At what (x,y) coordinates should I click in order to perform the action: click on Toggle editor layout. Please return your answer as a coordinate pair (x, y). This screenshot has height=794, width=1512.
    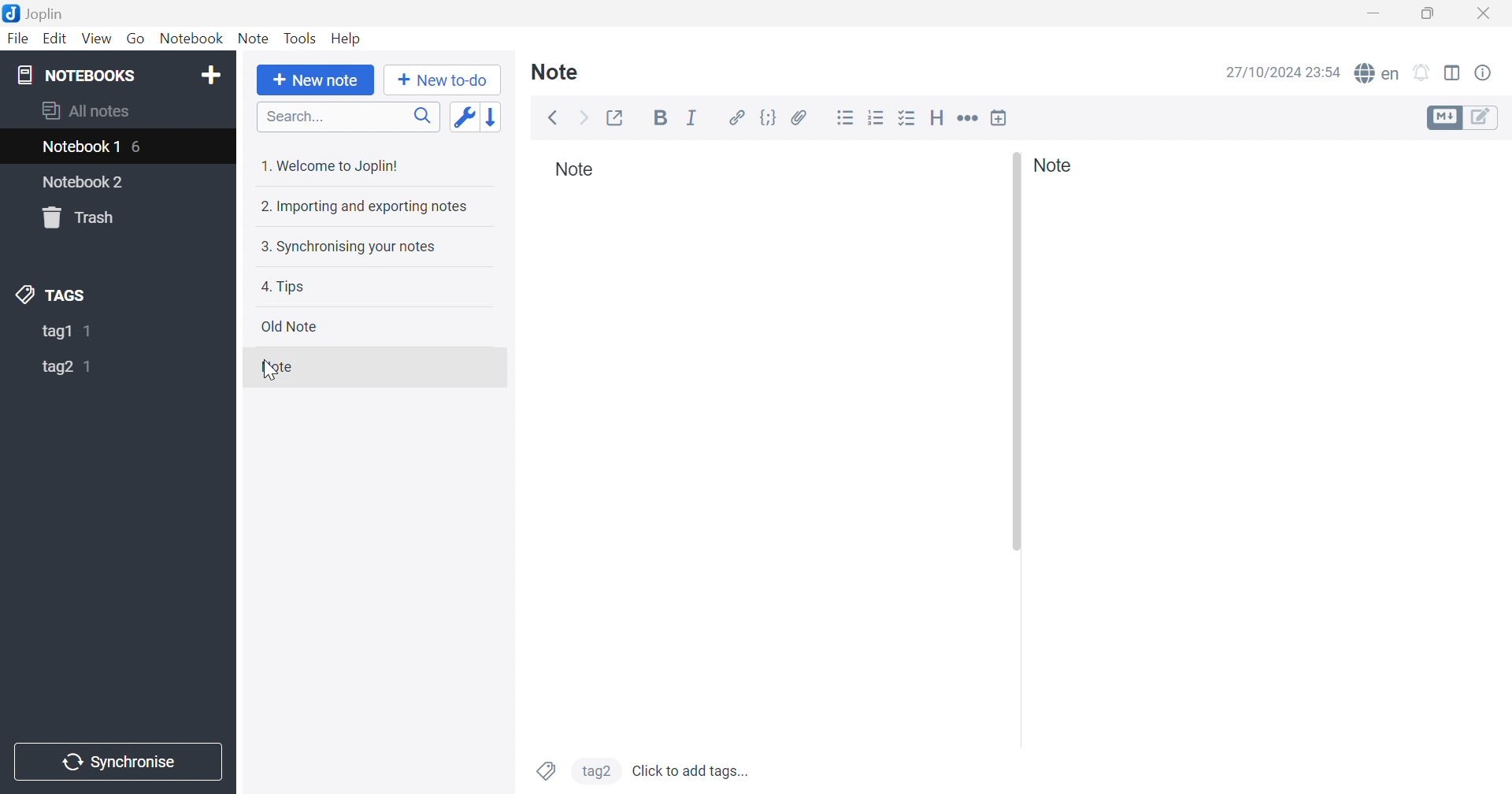
    Looking at the image, I should click on (1455, 74).